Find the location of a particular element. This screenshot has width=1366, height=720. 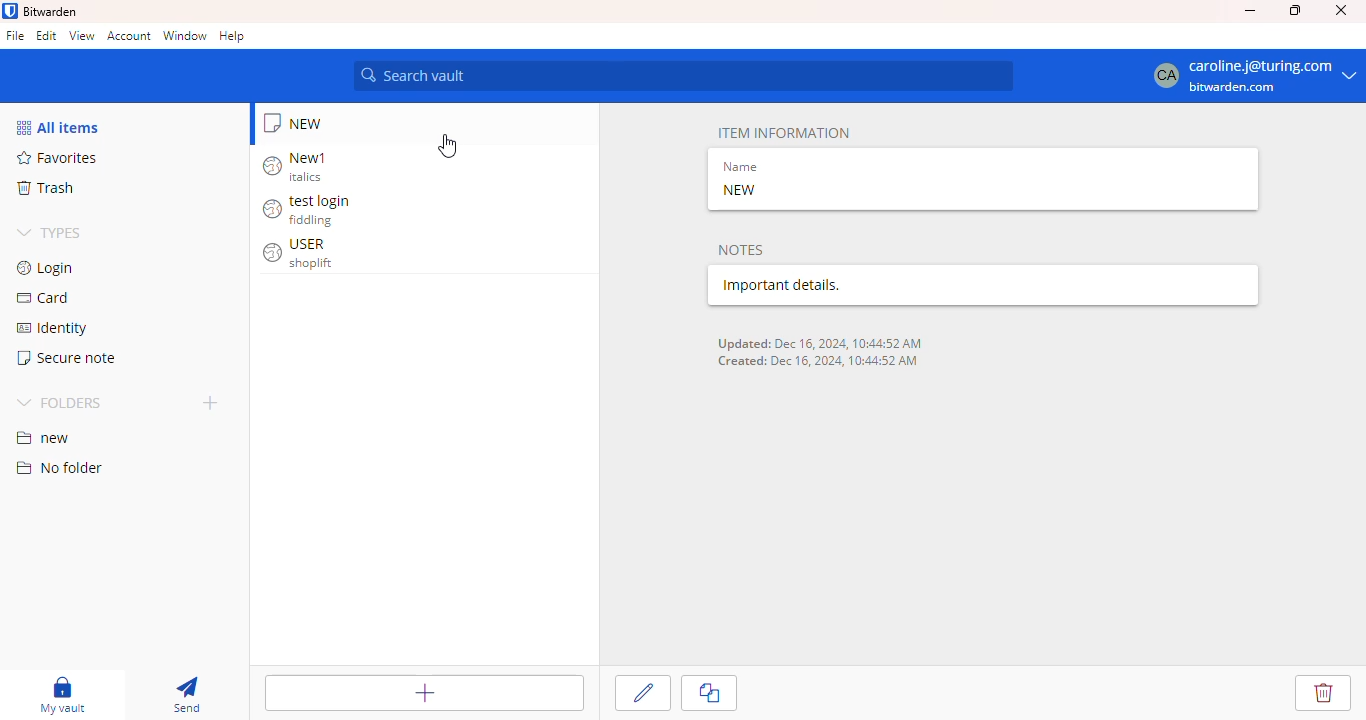

new is located at coordinates (43, 439).